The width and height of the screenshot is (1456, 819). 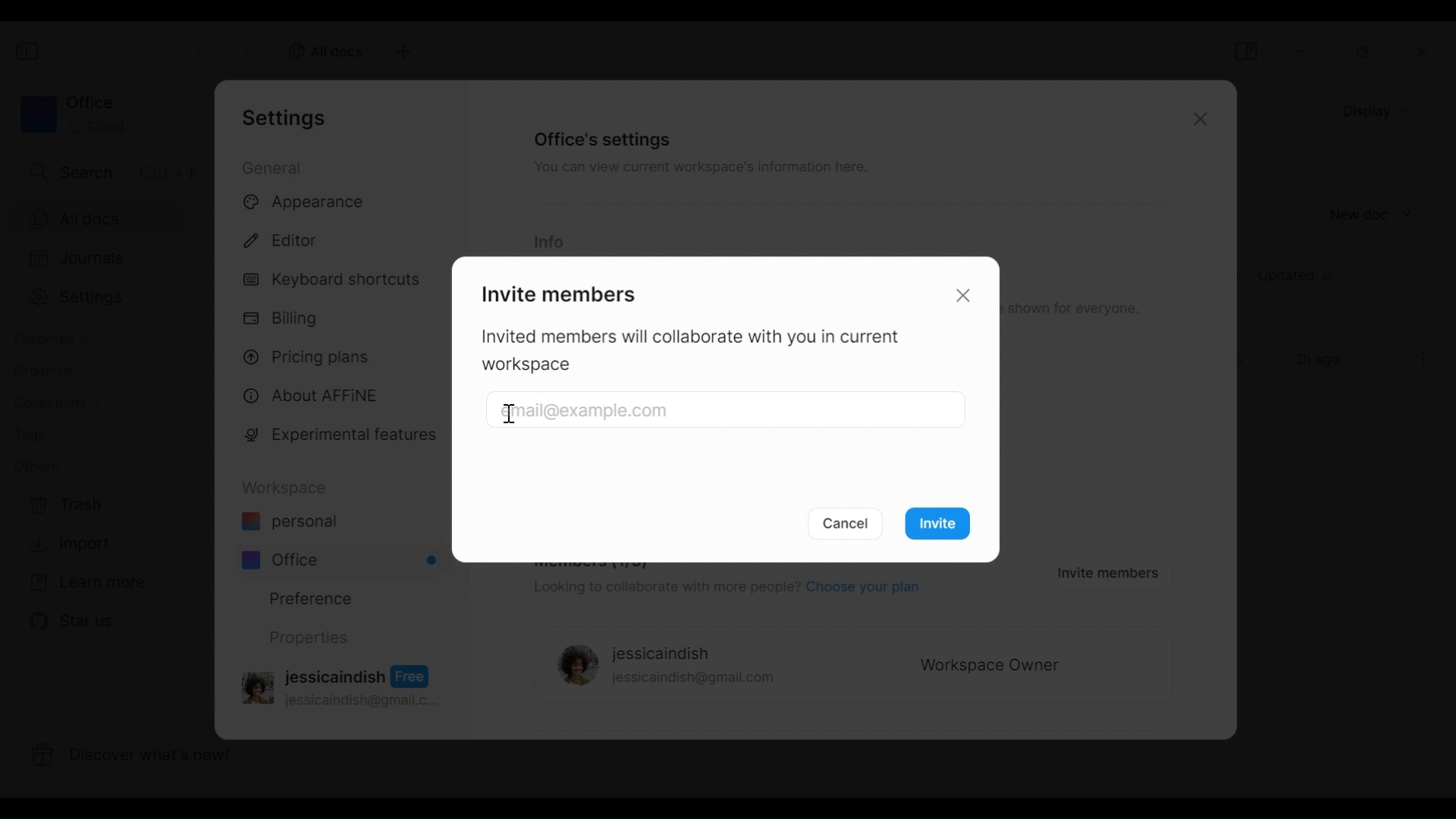 What do you see at coordinates (344, 685) in the screenshot?
I see `Account` at bounding box center [344, 685].